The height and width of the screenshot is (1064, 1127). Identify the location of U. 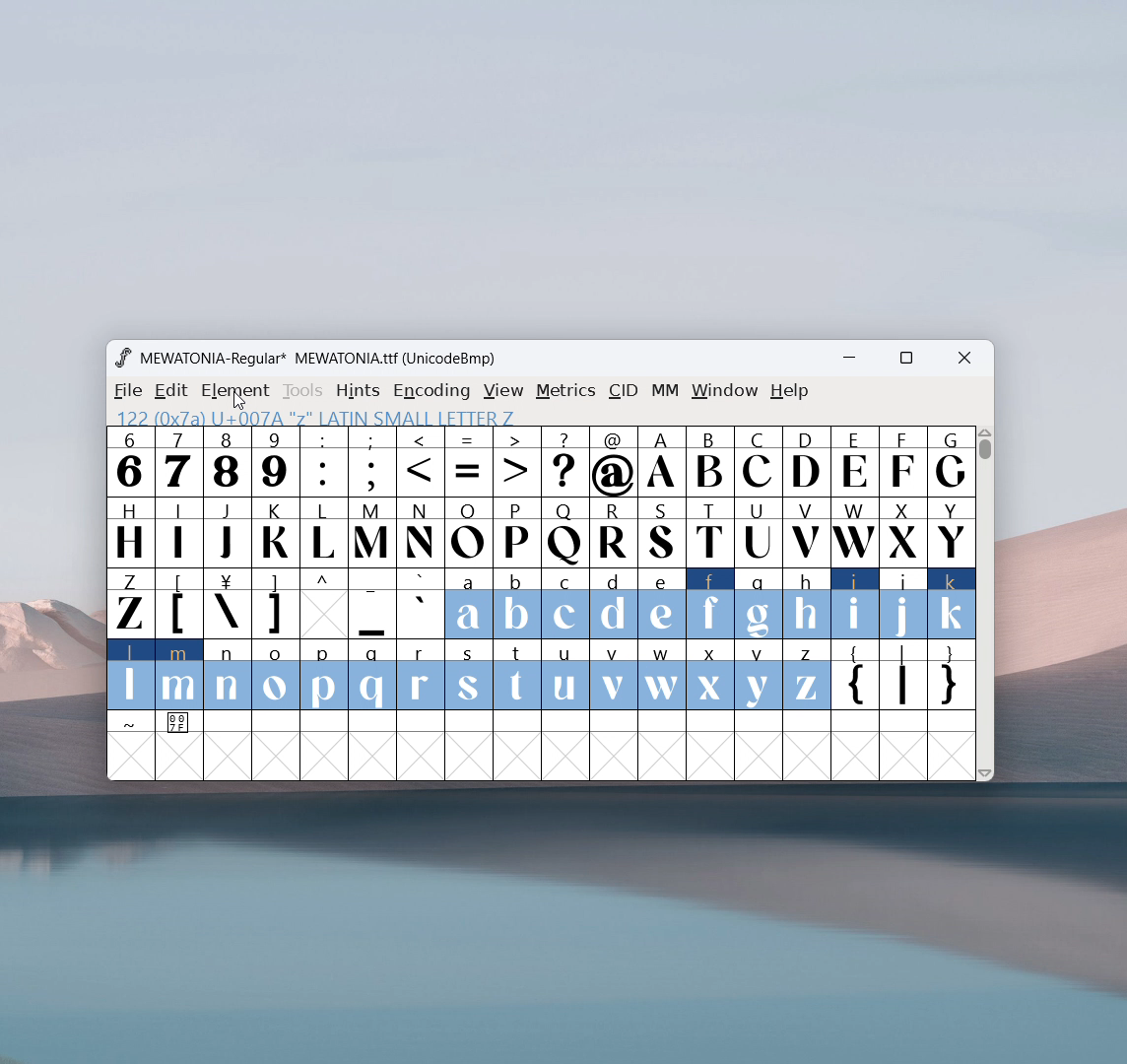
(759, 531).